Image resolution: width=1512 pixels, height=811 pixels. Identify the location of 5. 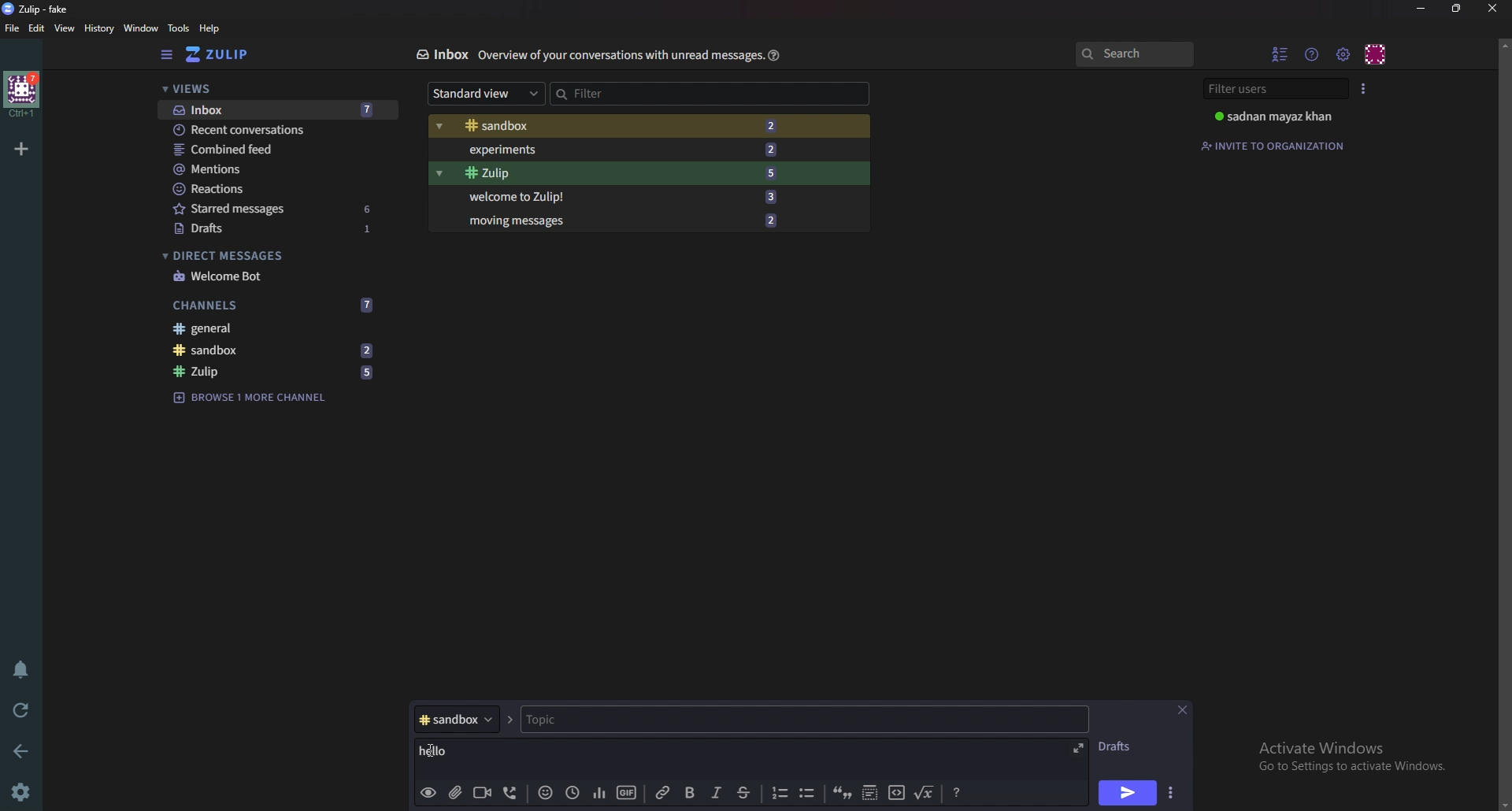
(775, 172).